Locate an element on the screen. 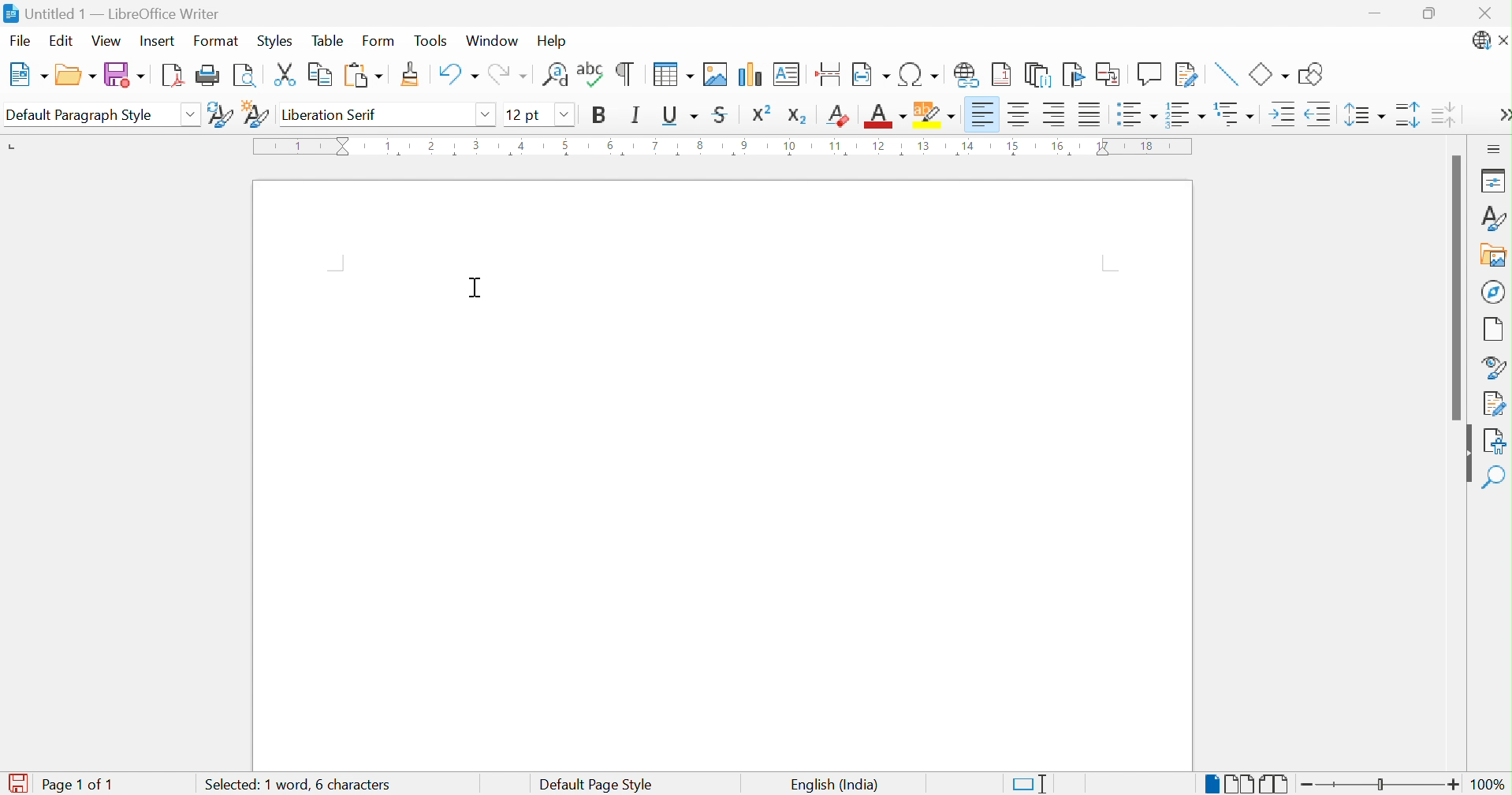 The image size is (1512, 795). Gallery is located at coordinates (1492, 257).